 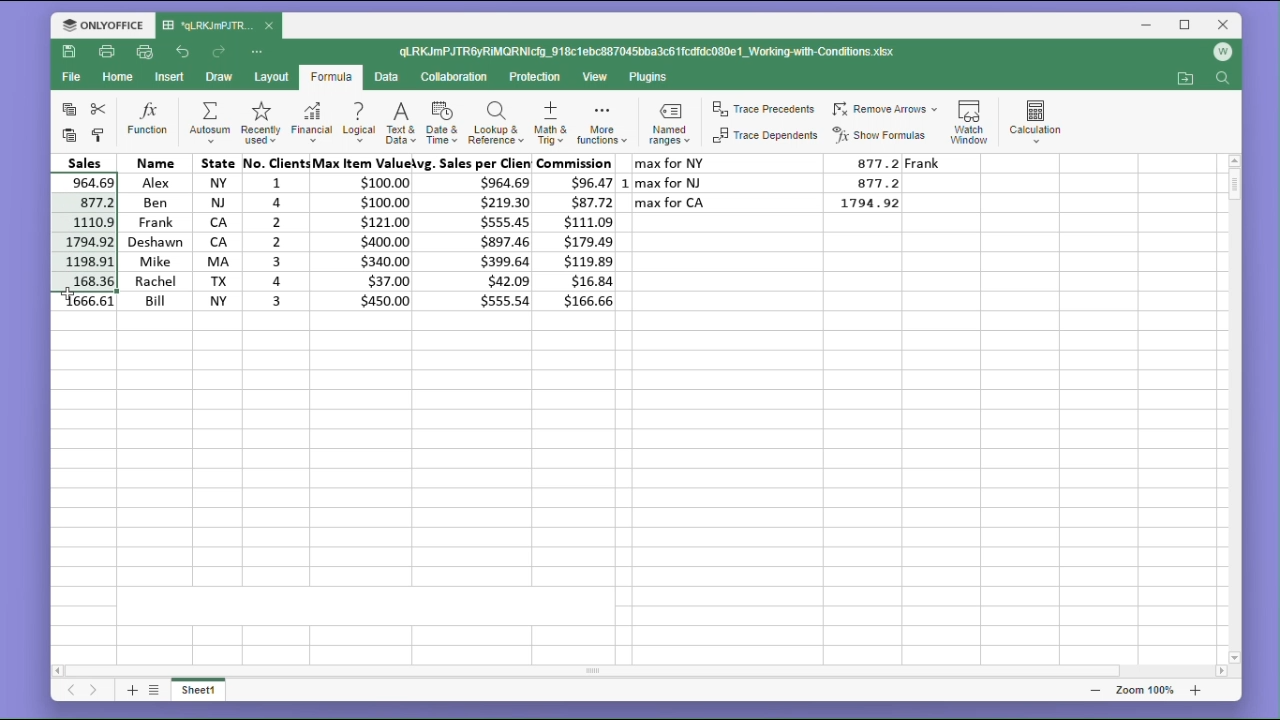 I want to click on data, so click(x=390, y=77).